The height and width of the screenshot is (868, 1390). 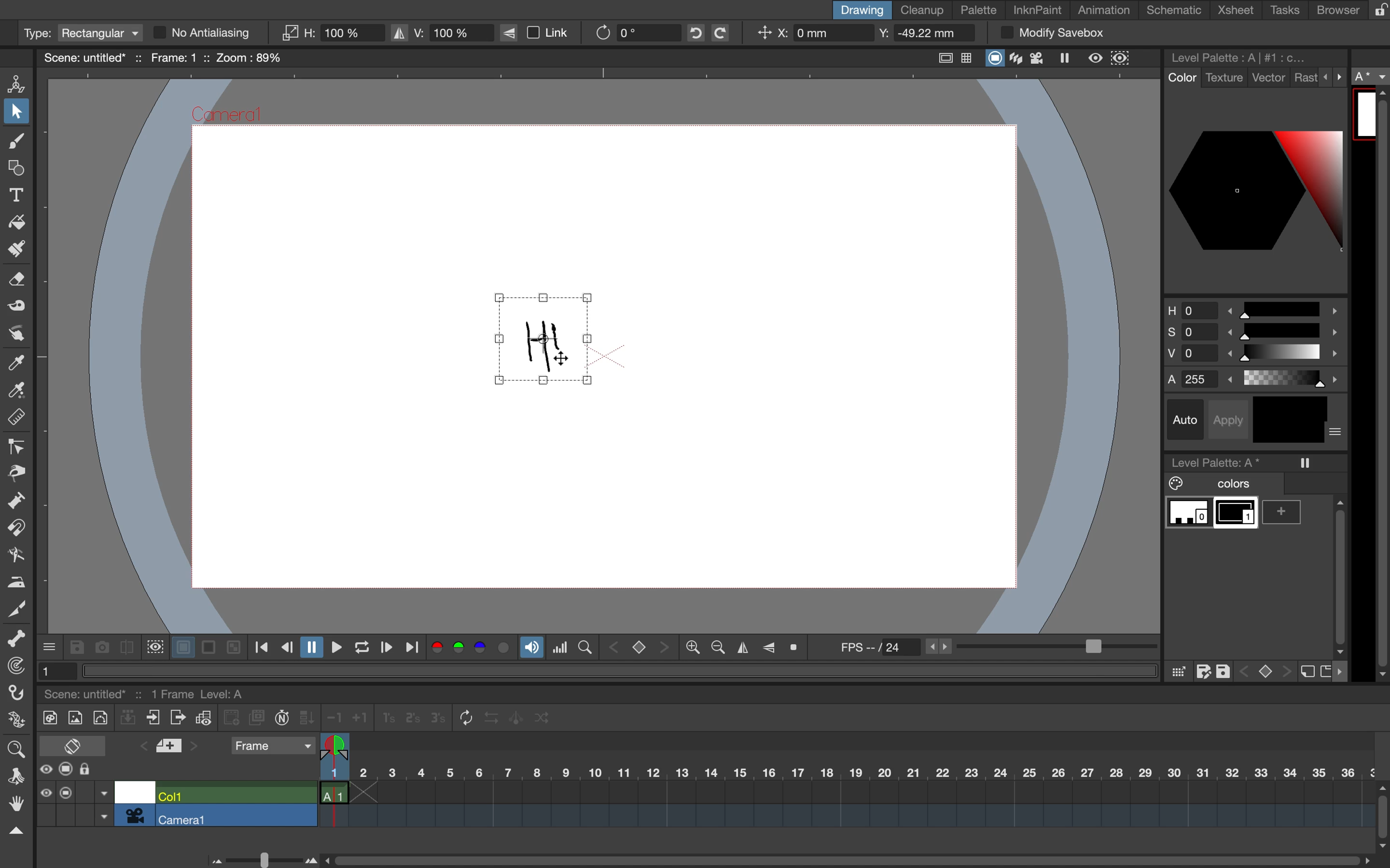 What do you see at coordinates (1232, 418) in the screenshot?
I see `apply` at bounding box center [1232, 418].